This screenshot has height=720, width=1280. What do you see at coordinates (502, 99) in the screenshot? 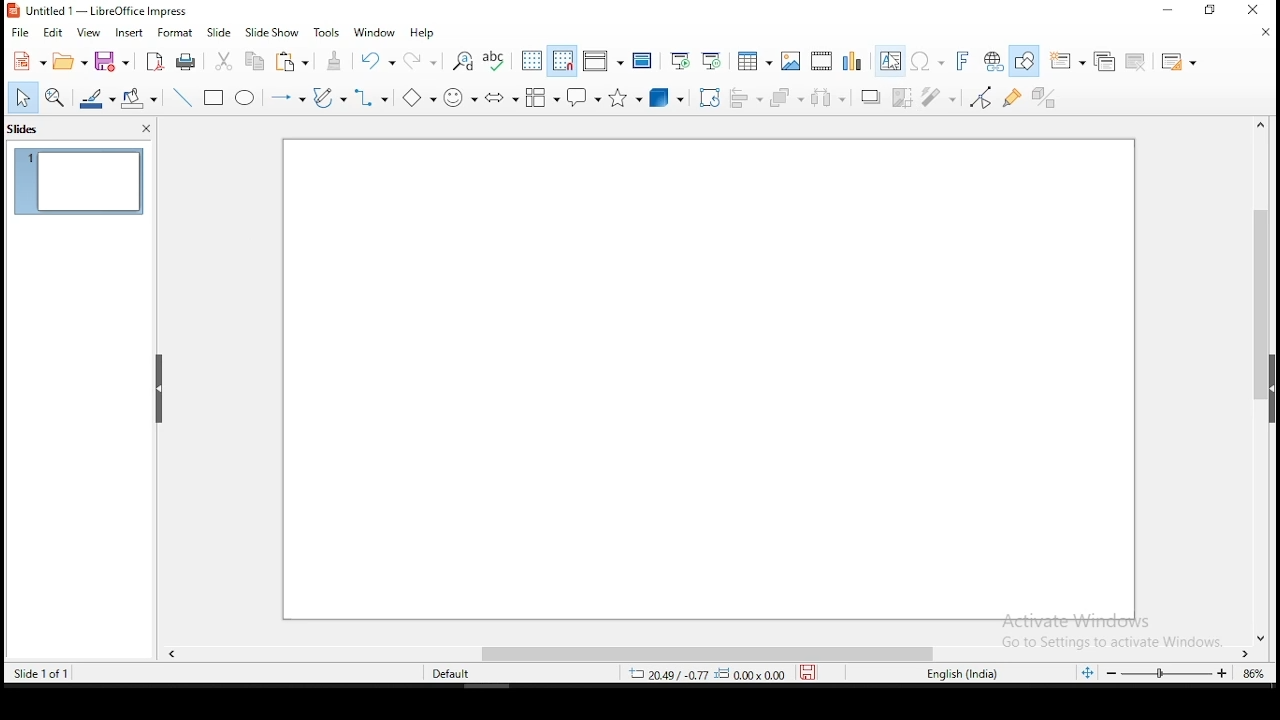
I see `block arrows` at bounding box center [502, 99].